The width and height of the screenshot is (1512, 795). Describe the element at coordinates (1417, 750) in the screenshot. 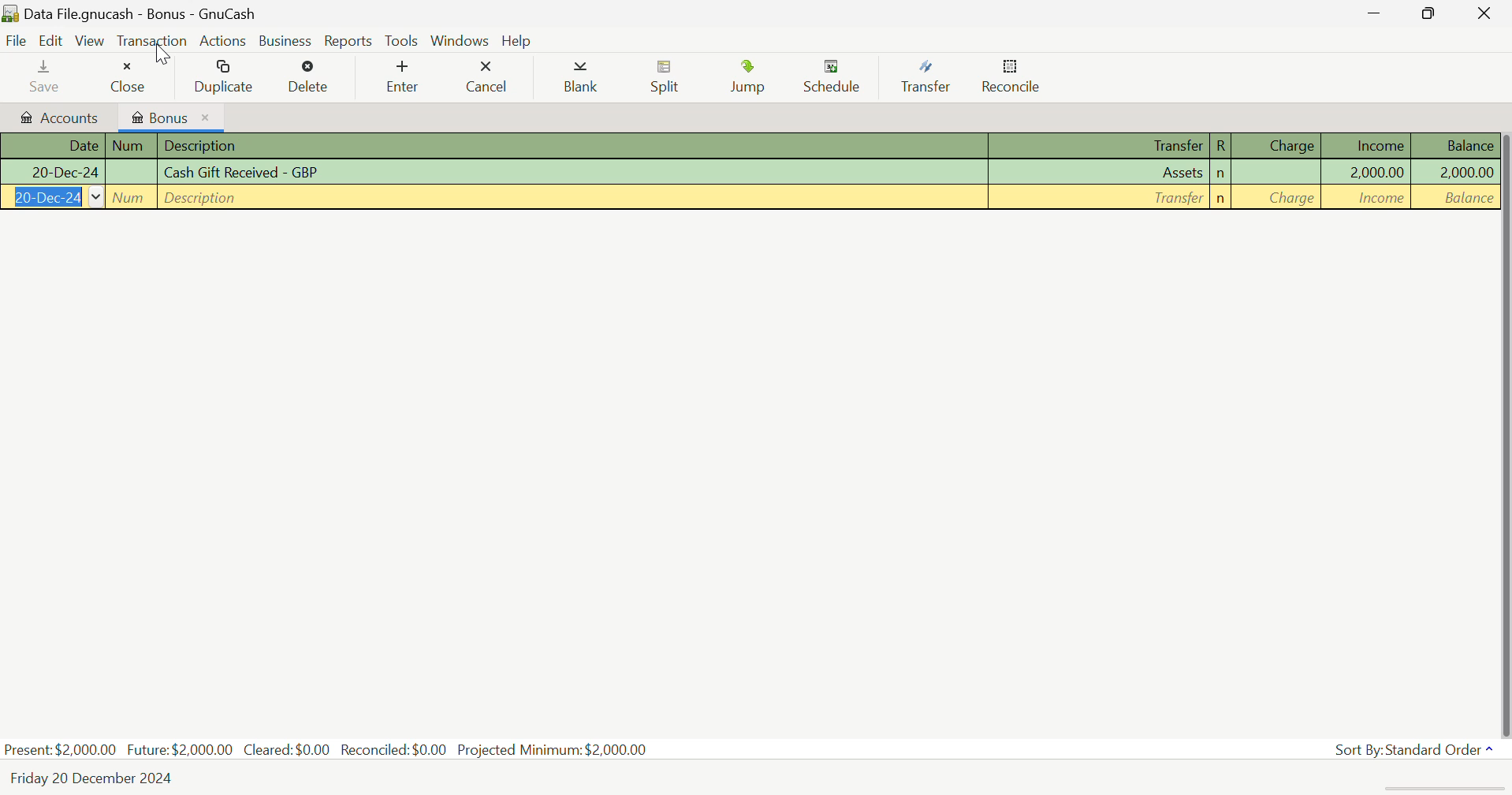

I see `Sort By: Standard Order` at that location.